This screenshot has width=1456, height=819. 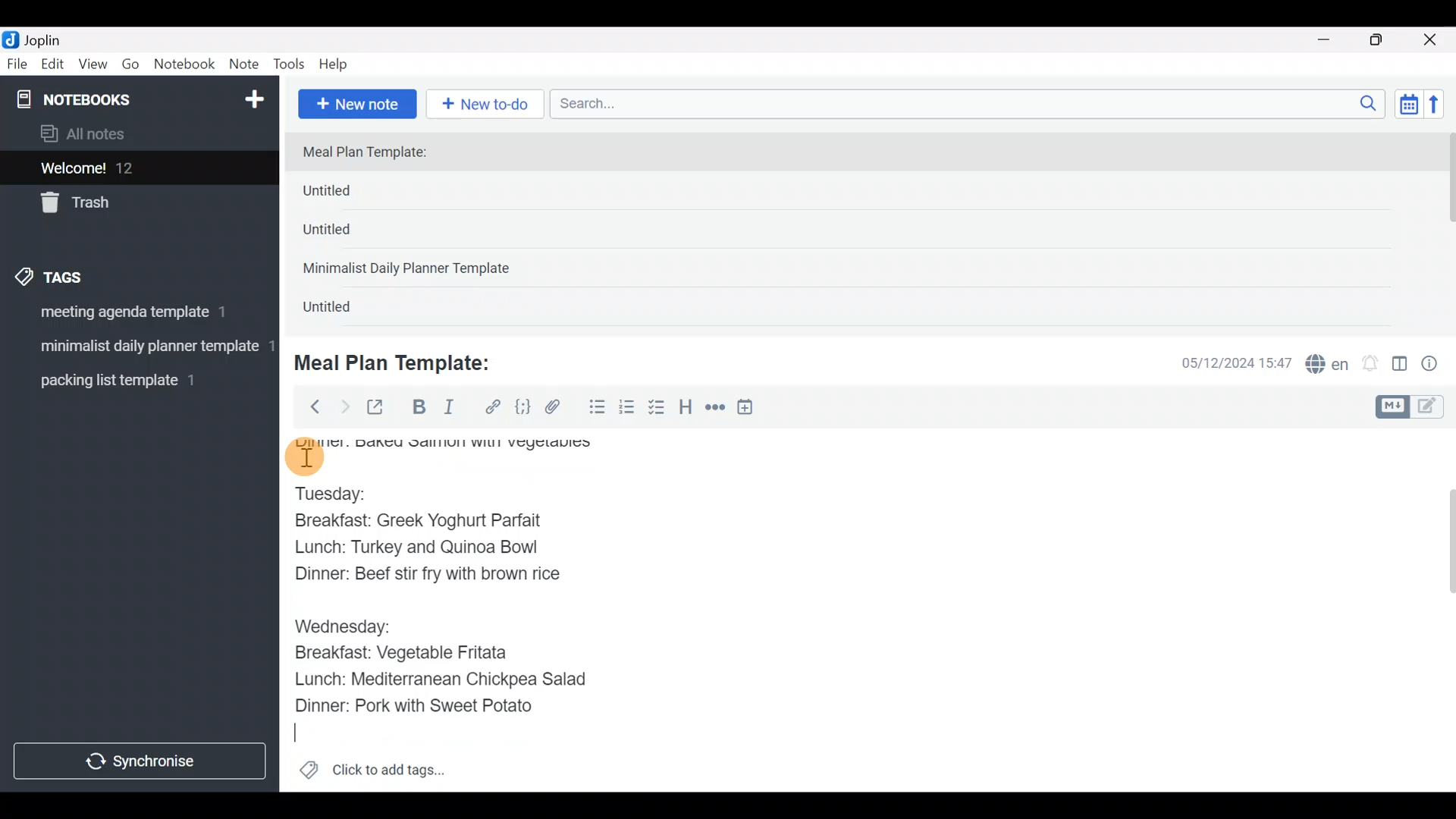 I want to click on Horizontal rule, so click(x=715, y=409).